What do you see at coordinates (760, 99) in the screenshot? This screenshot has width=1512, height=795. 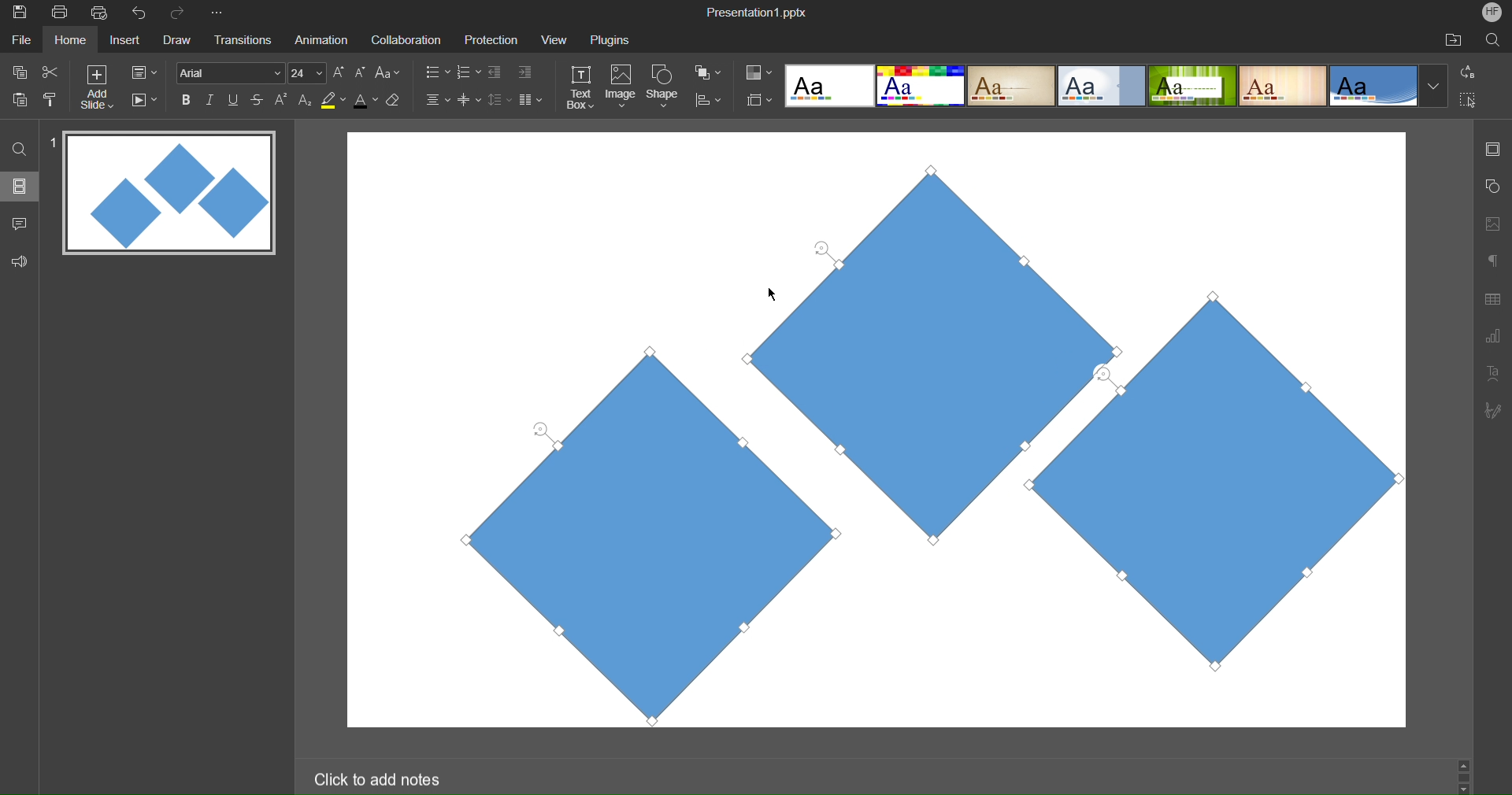 I see `Slide Size Settings` at bounding box center [760, 99].